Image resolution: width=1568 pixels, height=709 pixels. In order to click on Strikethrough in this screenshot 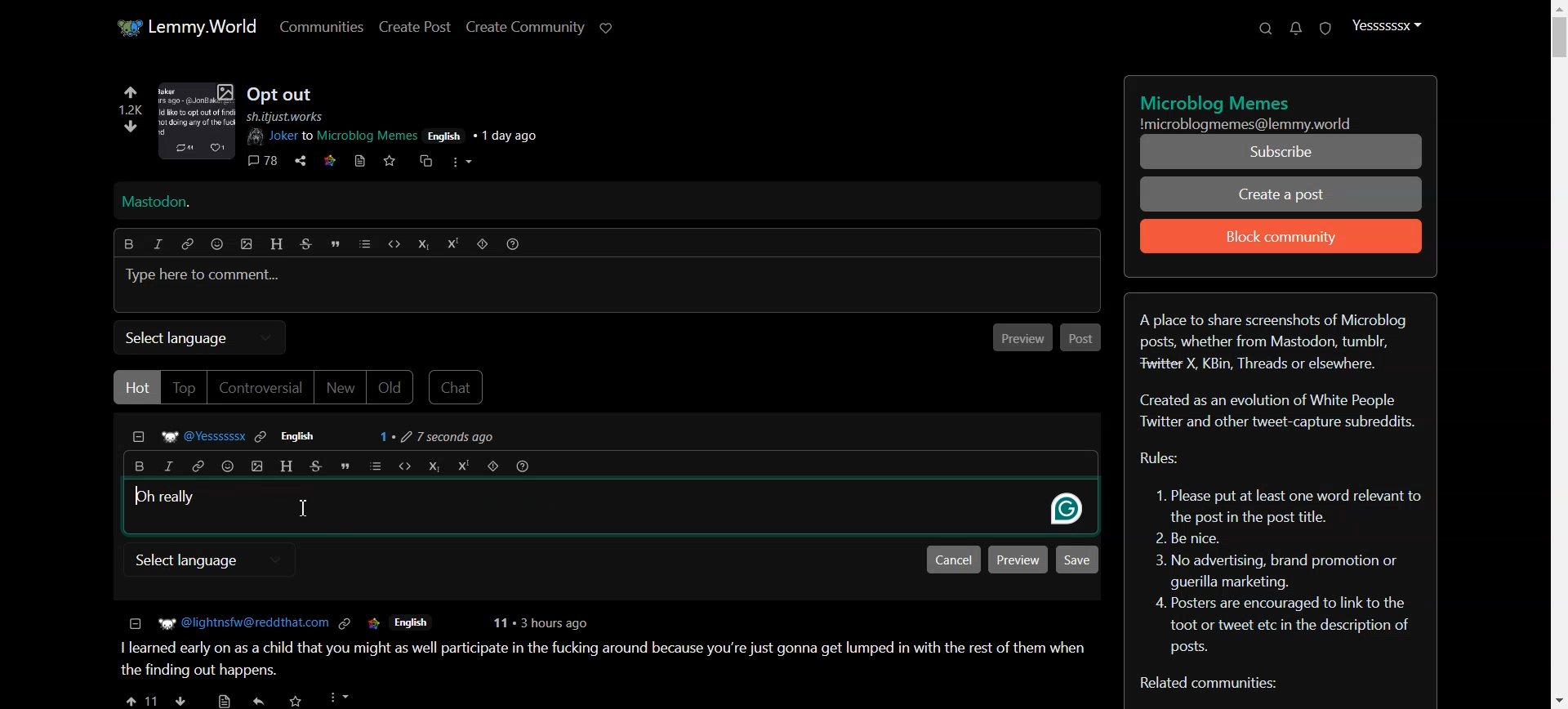, I will do `click(305, 243)`.